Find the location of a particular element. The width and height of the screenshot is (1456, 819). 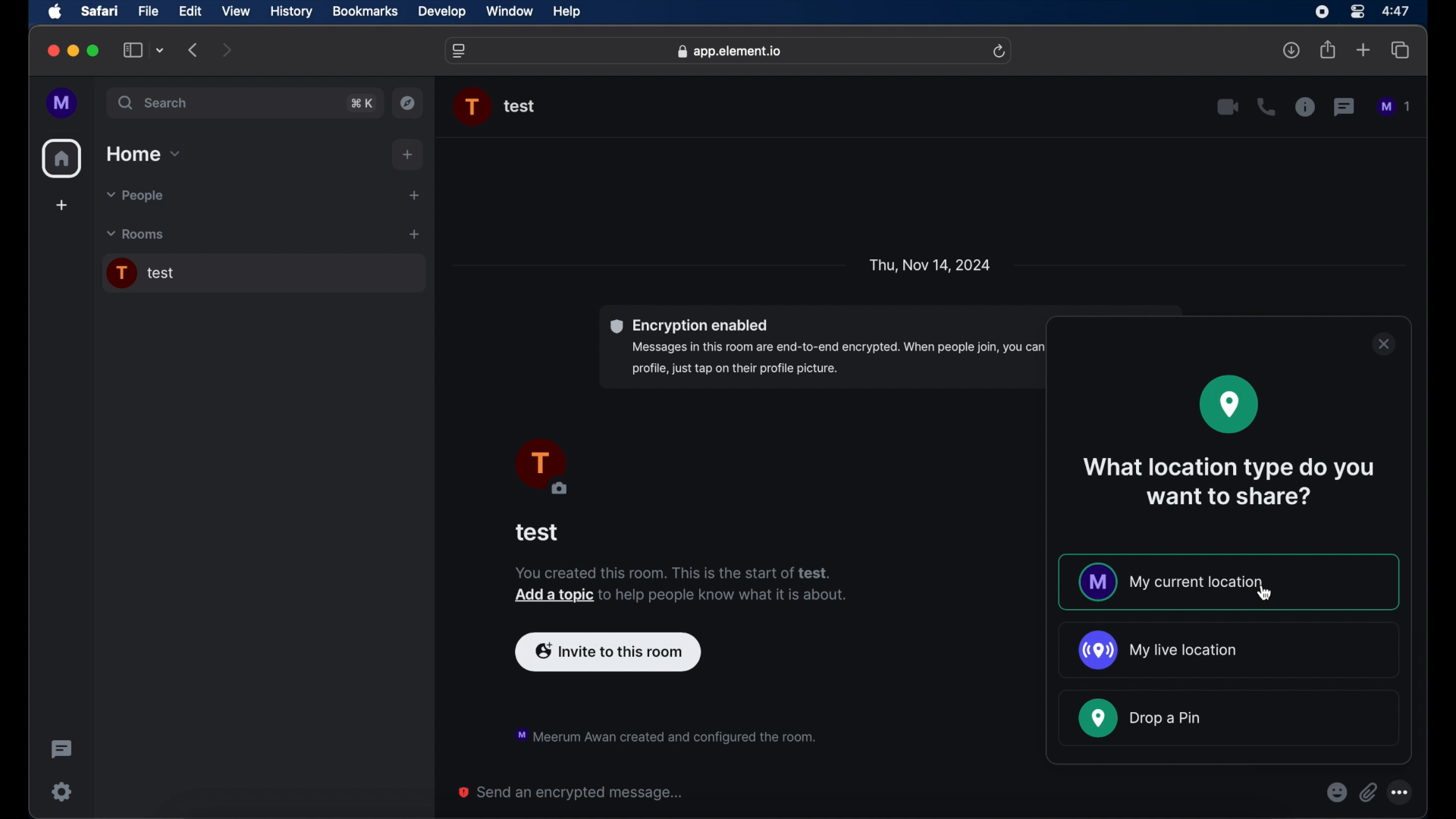

bookmarks is located at coordinates (365, 11).